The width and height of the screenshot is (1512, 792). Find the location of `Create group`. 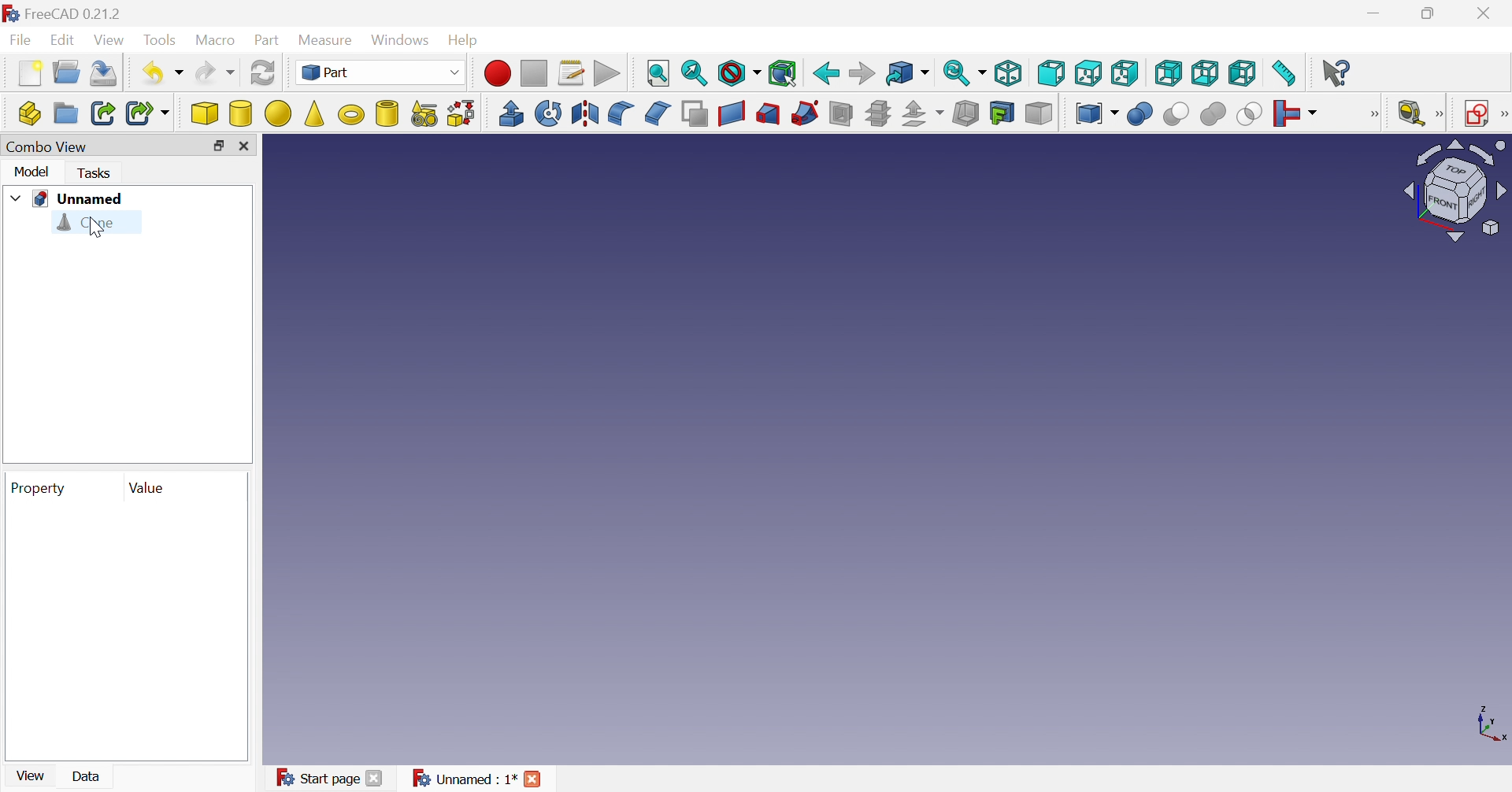

Create group is located at coordinates (65, 113).